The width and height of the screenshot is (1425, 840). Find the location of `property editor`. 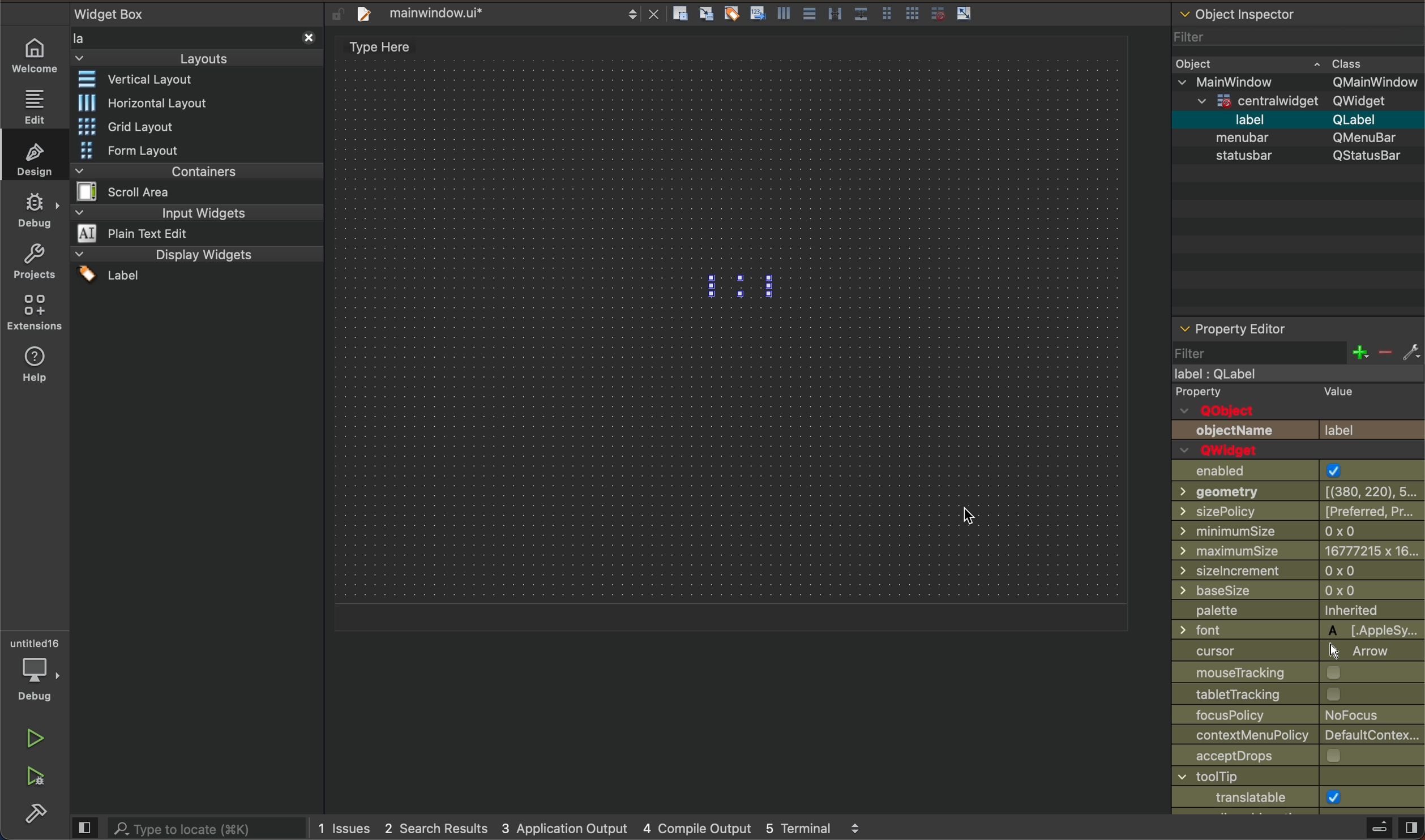

property editor is located at coordinates (1246, 327).